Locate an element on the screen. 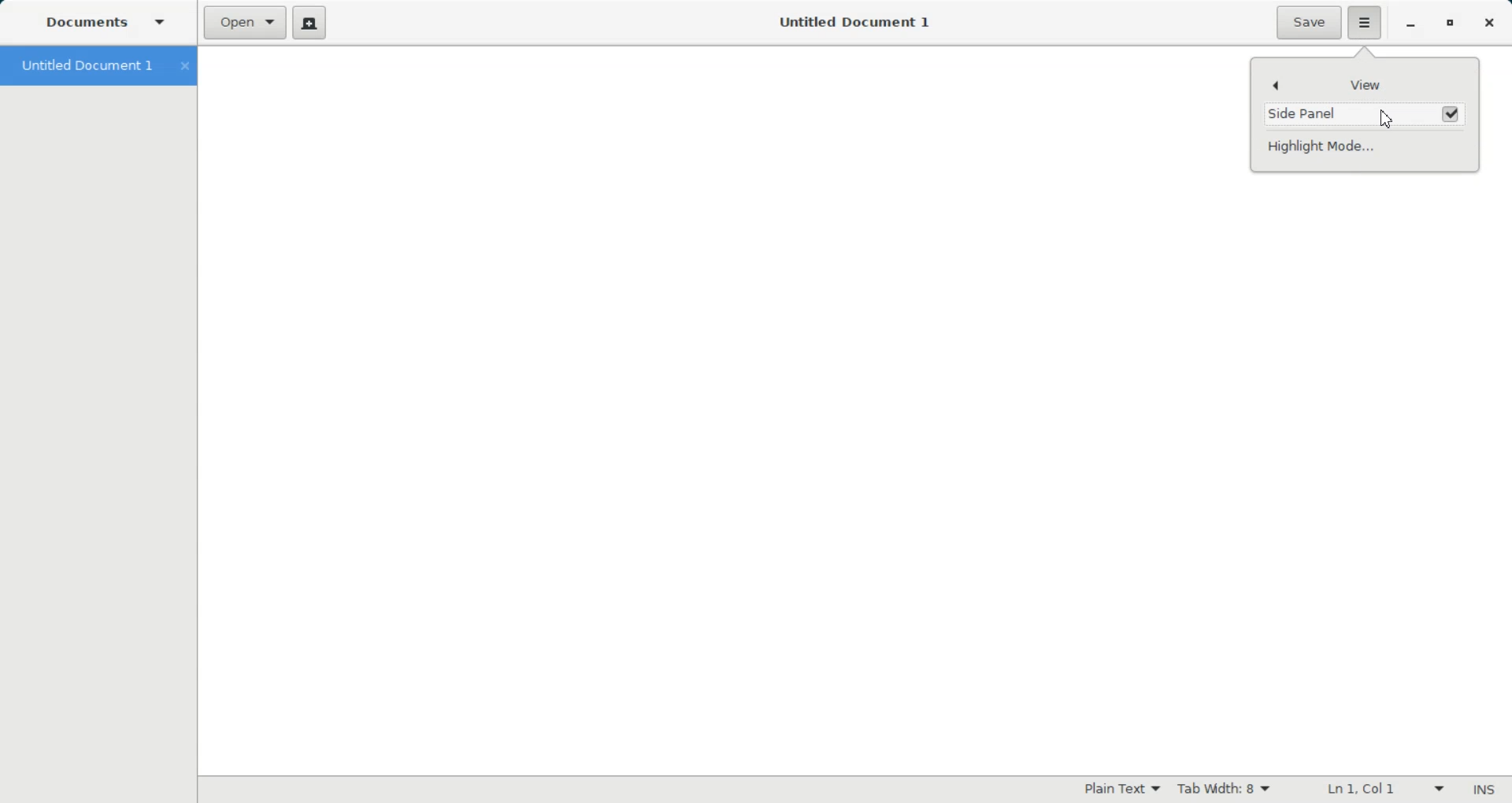 The width and height of the screenshot is (1512, 803). Highlight Mode is located at coordinates (1364, 146).